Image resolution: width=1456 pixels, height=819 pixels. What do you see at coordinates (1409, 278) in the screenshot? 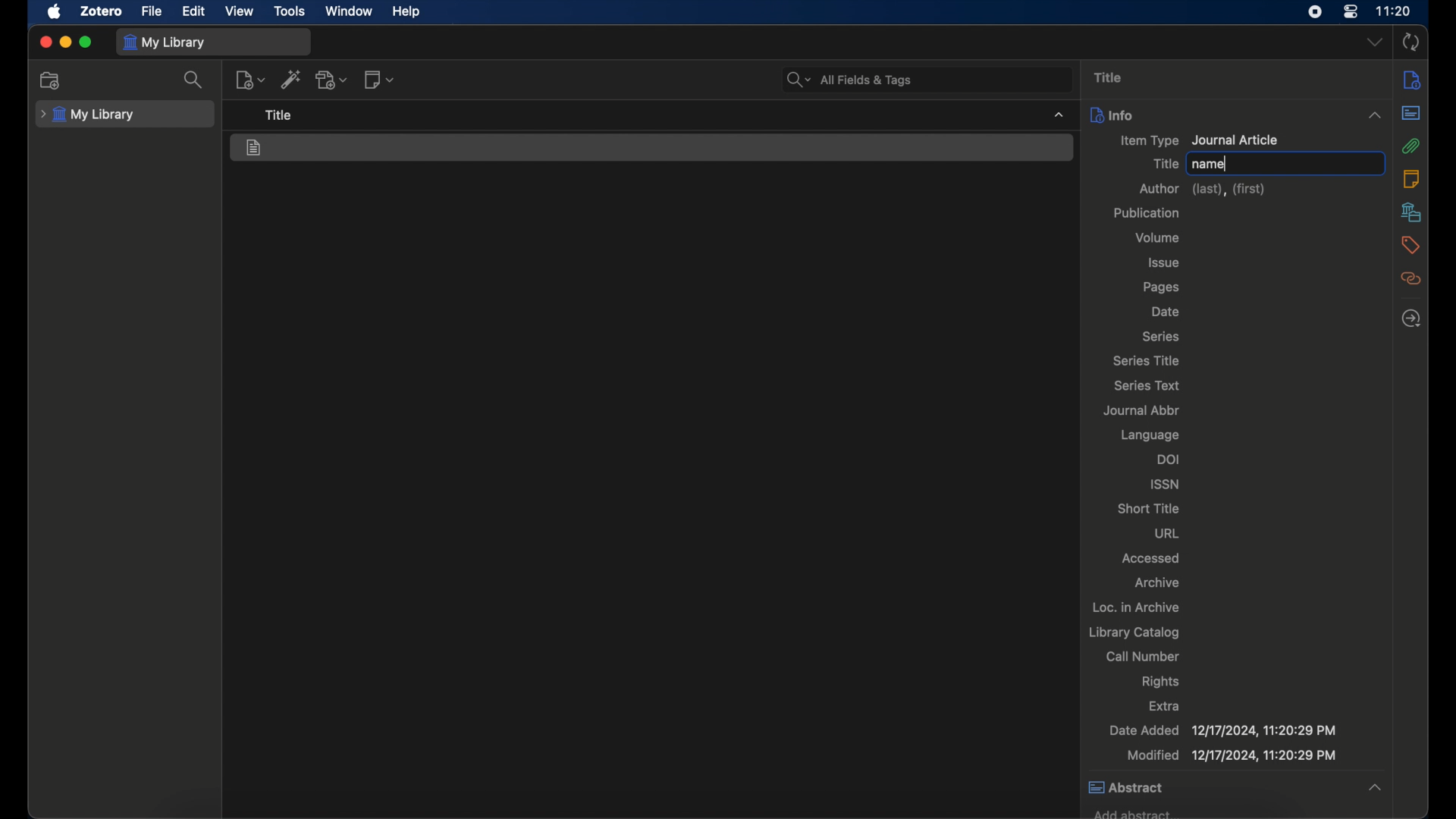
I see `related` at bounding box center [1409, 278].